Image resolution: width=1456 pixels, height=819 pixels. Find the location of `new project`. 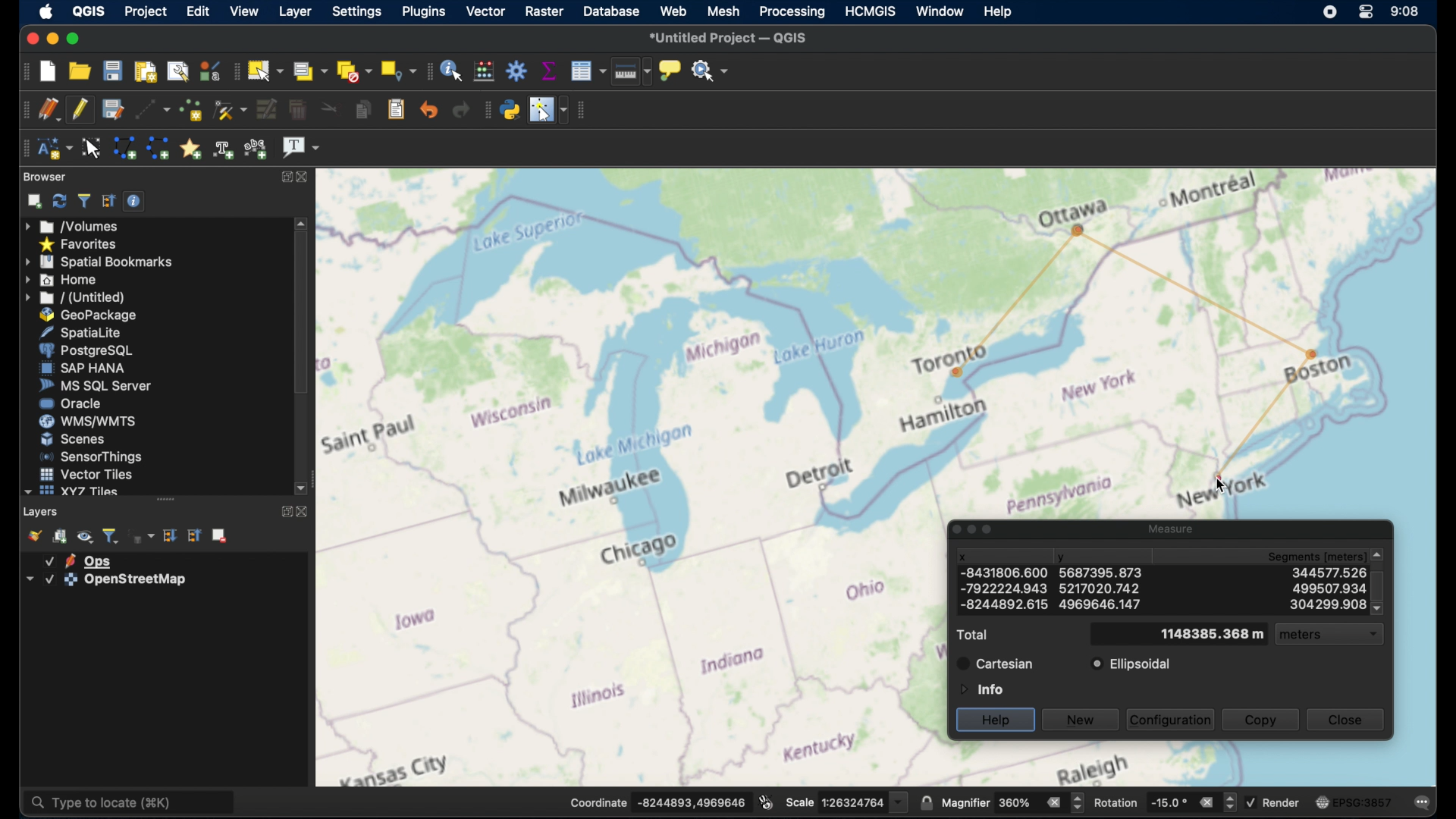

new project is located at coordinates (49, 70).